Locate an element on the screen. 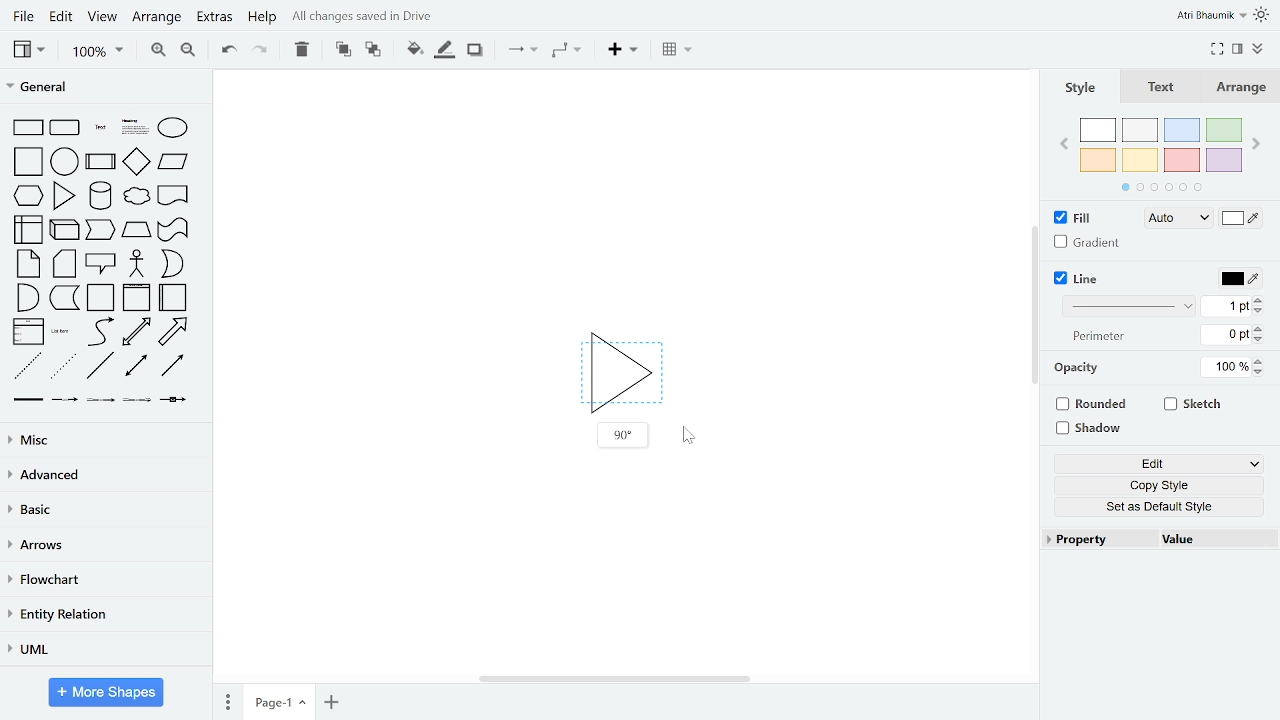 This screenshot has height=720, width=1280. heading is located at coordinates (133, 128).